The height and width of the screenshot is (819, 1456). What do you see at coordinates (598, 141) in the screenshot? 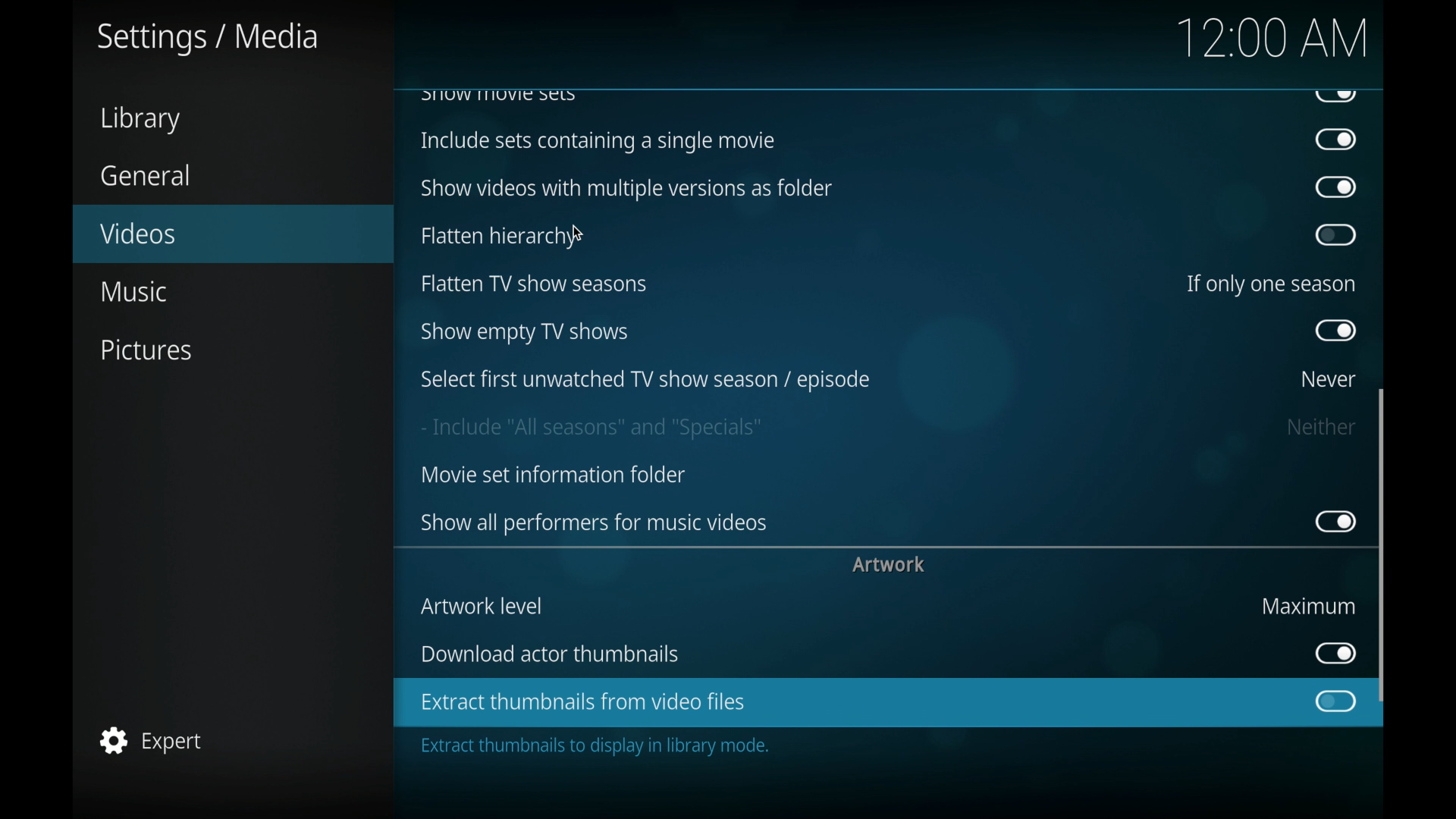
I see `include sets containing a single movie` at bounding box center [598, 141].